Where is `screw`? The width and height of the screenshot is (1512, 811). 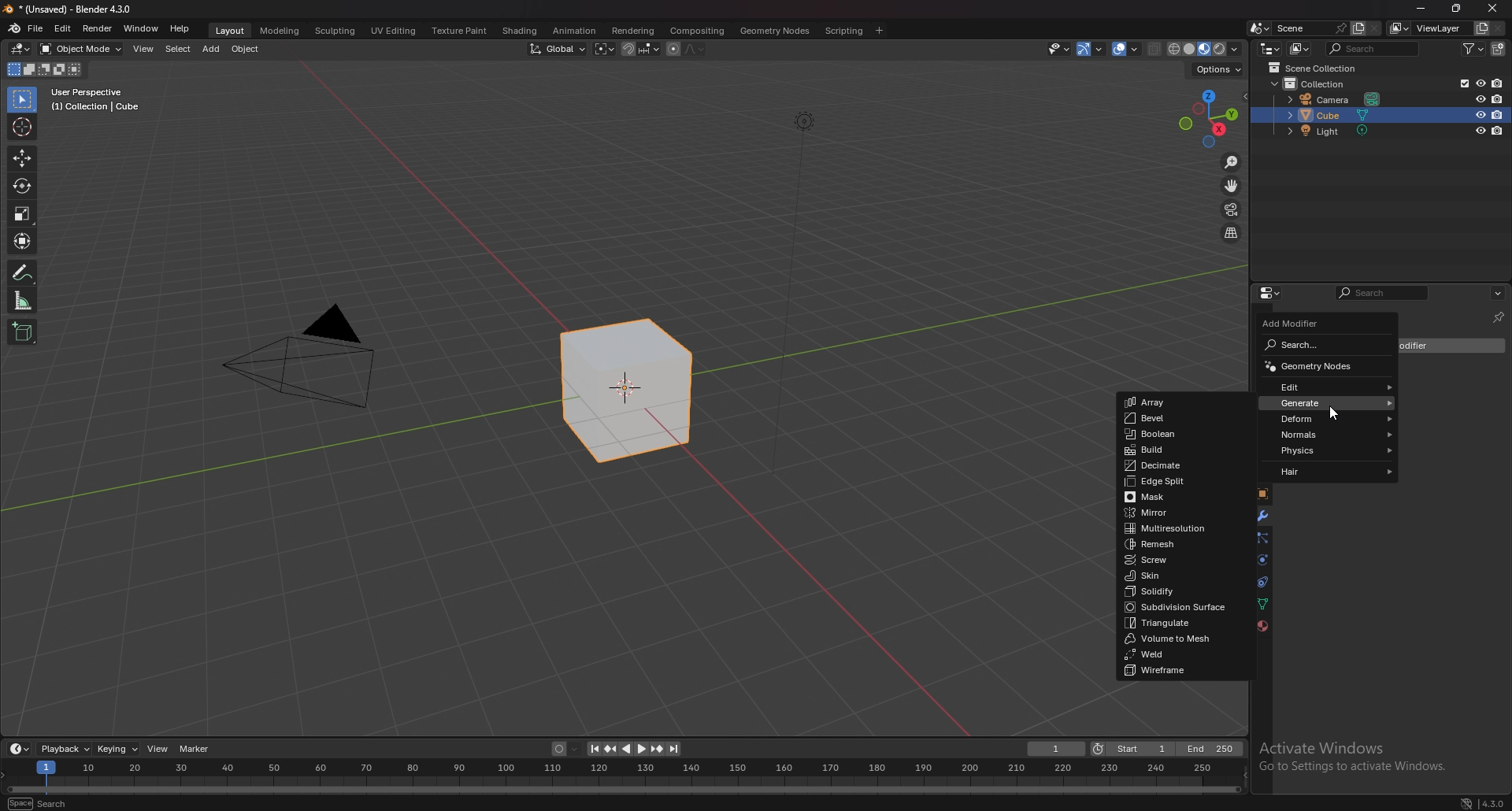 screw is located at coordinates (1178, 560).